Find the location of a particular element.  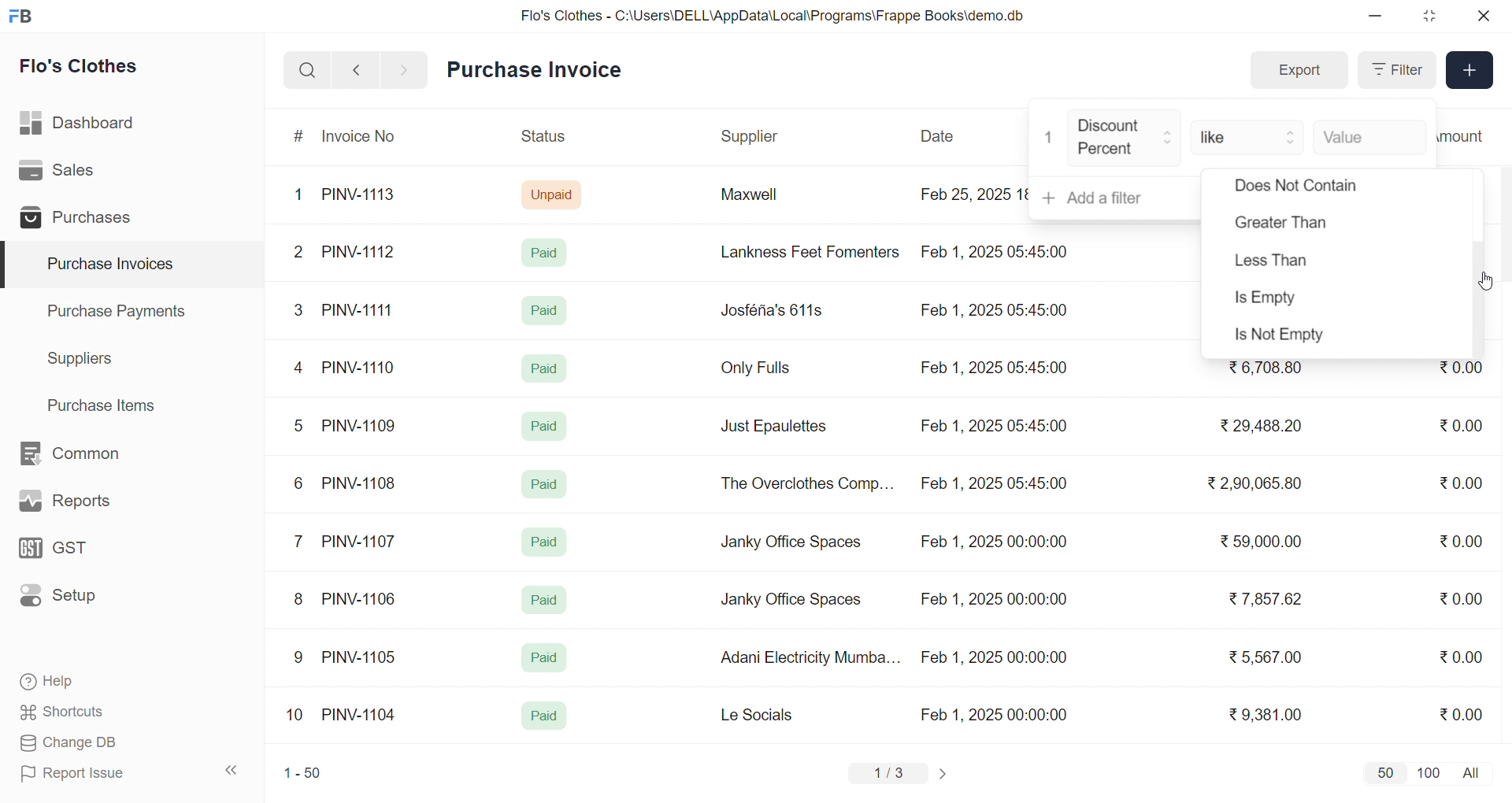

Supplier is located at coordinates (752, 137).